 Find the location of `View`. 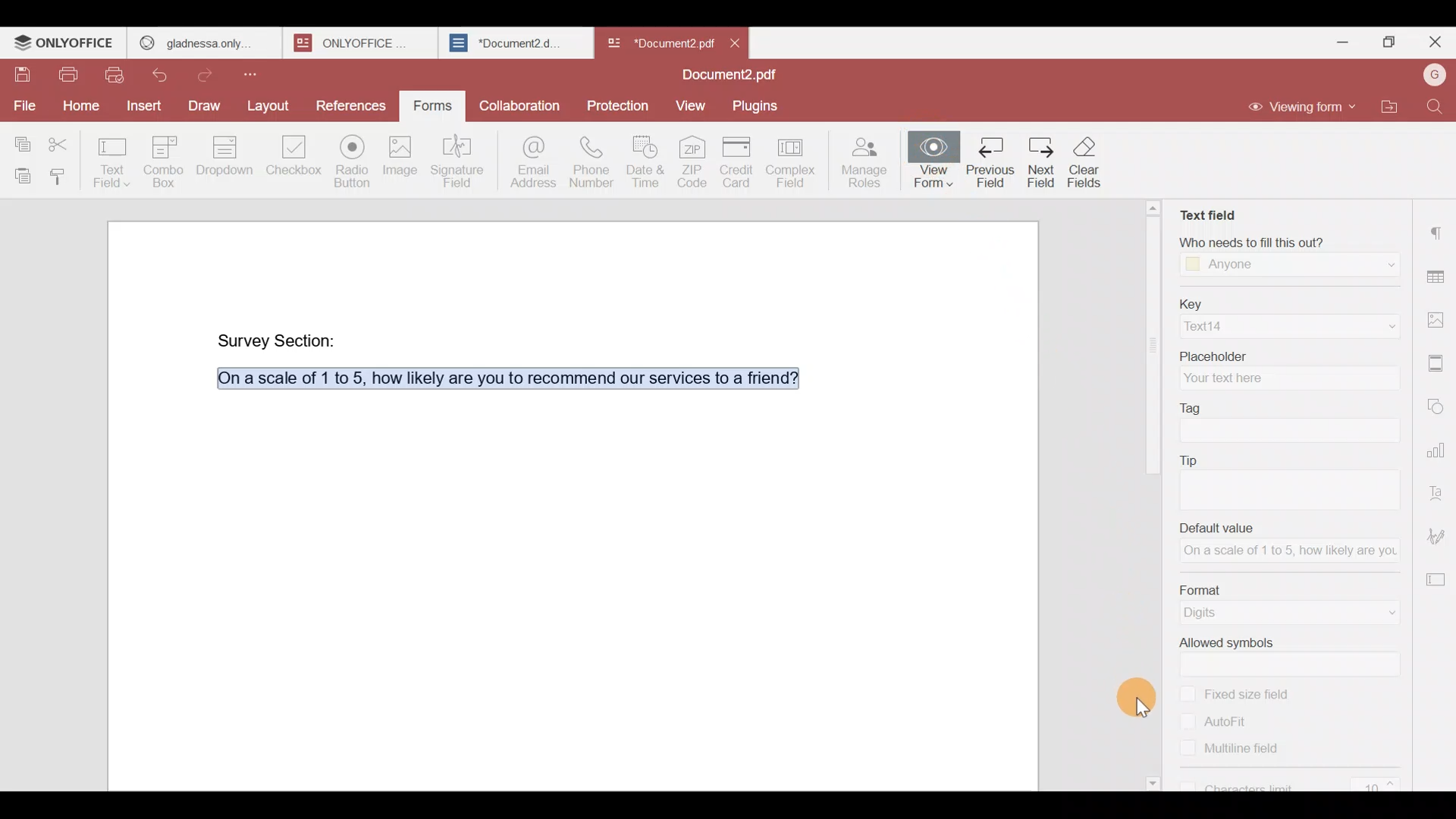

View is located at coordinates (687, 104).